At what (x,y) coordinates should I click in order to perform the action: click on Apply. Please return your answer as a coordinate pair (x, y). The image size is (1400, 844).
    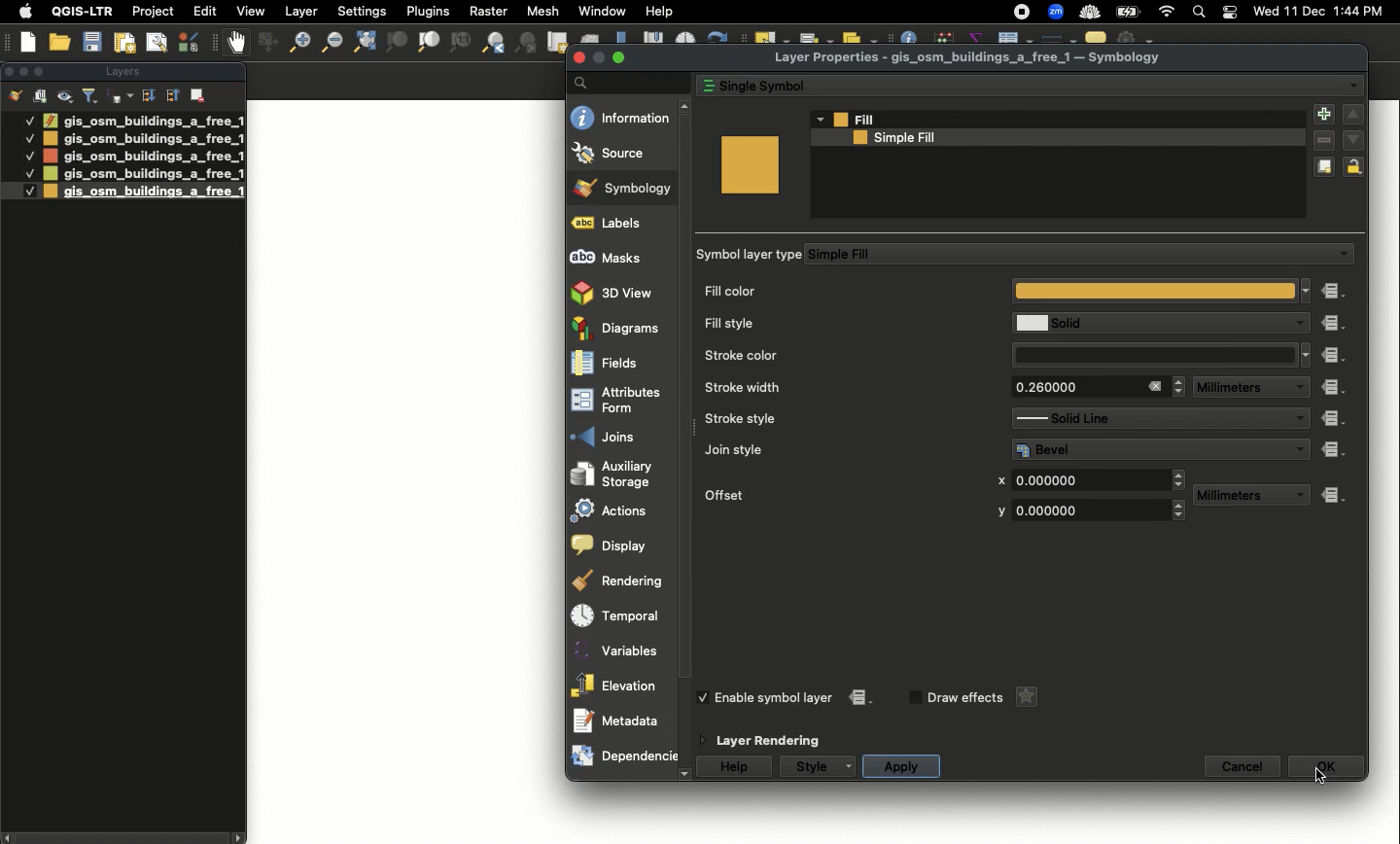
    Looking at the image, I should click on (900, 767).